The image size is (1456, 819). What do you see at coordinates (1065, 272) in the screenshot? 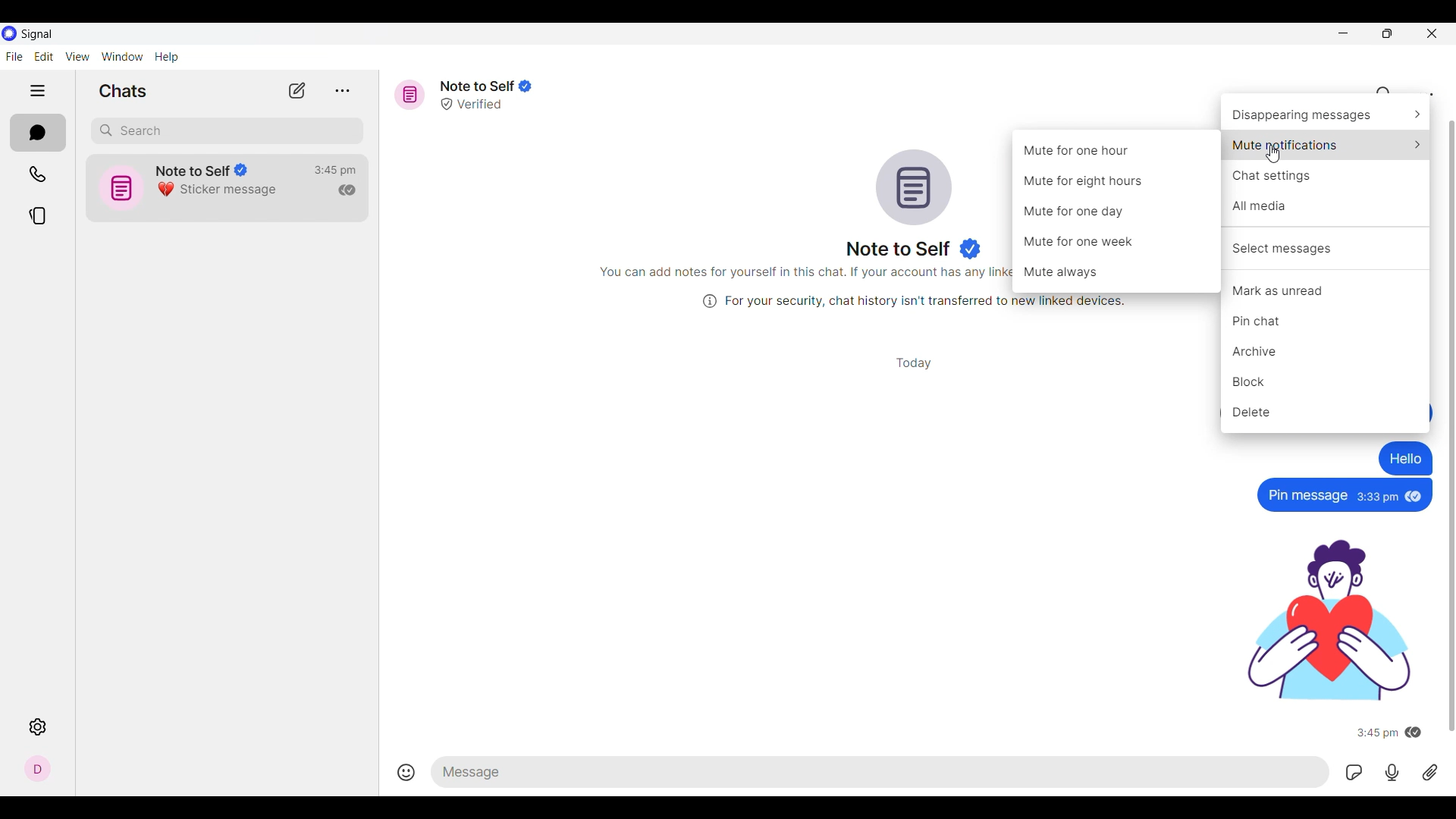
I see `Mute always` at bounding box center [1065, 272].